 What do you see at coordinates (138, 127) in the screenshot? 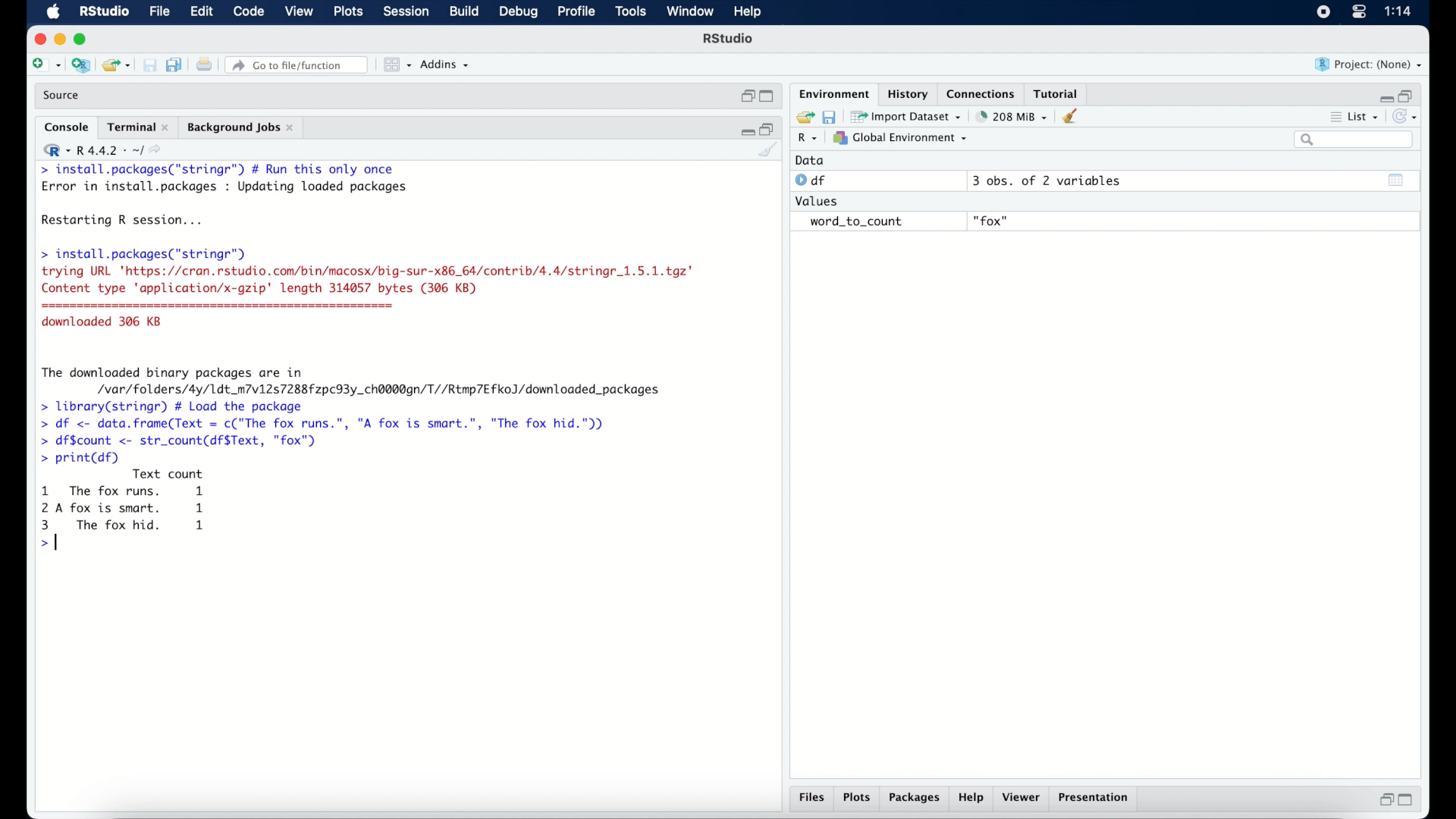
I see `terminal` at bounding box center [138, 127].